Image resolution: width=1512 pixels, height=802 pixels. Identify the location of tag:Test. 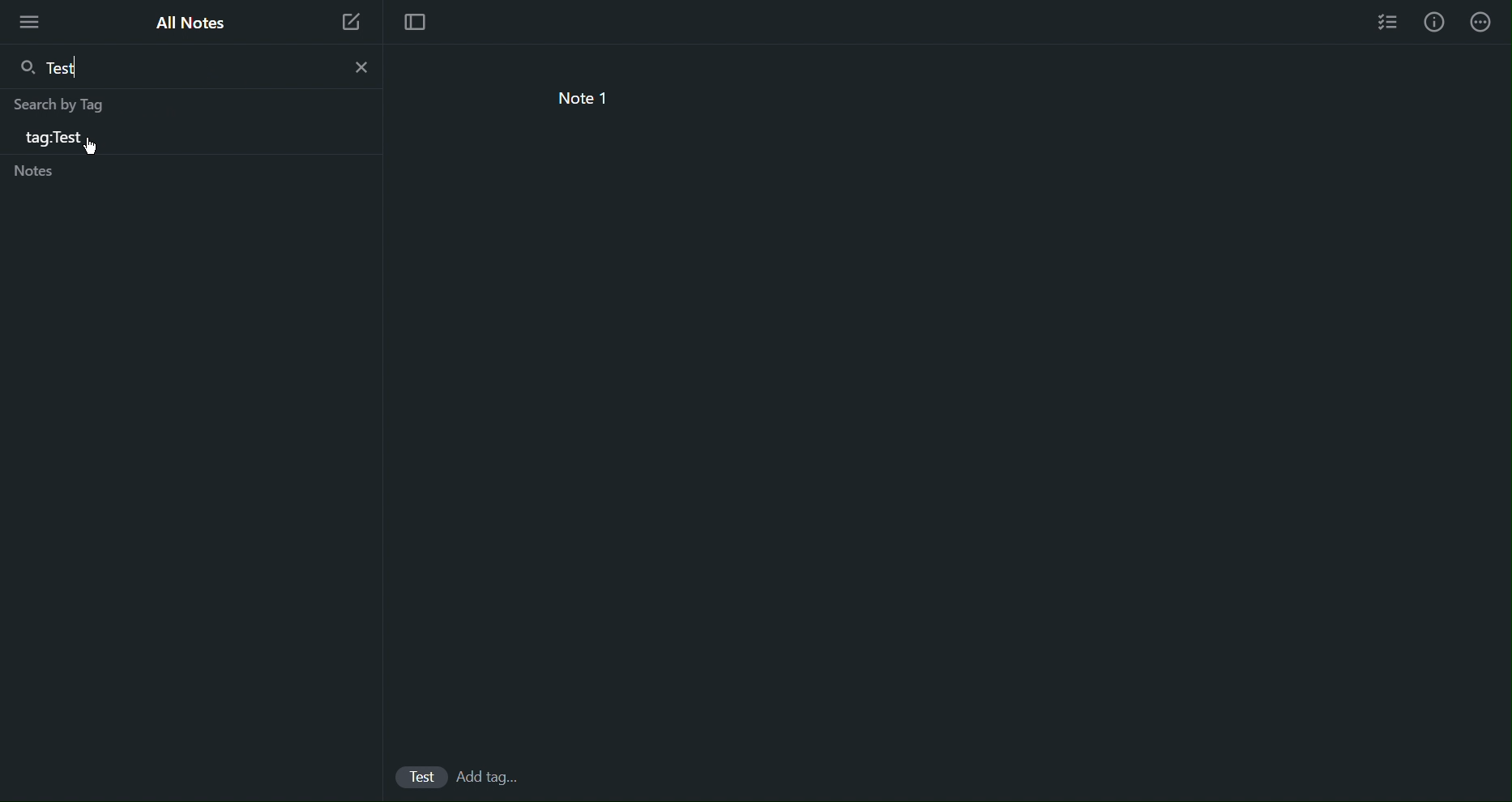
(58, 135).